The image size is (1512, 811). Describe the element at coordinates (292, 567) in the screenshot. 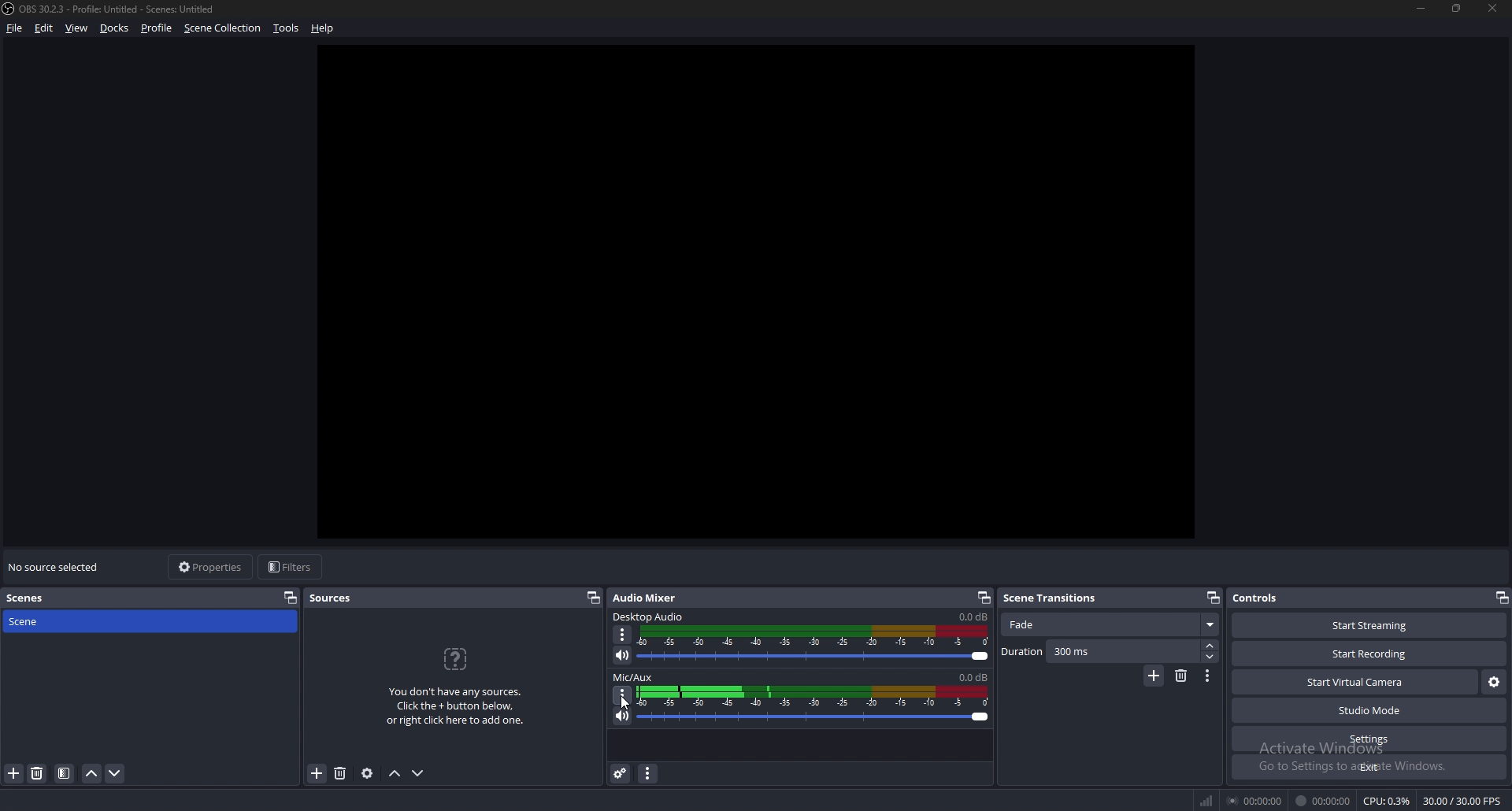

I see `filters` at that location.